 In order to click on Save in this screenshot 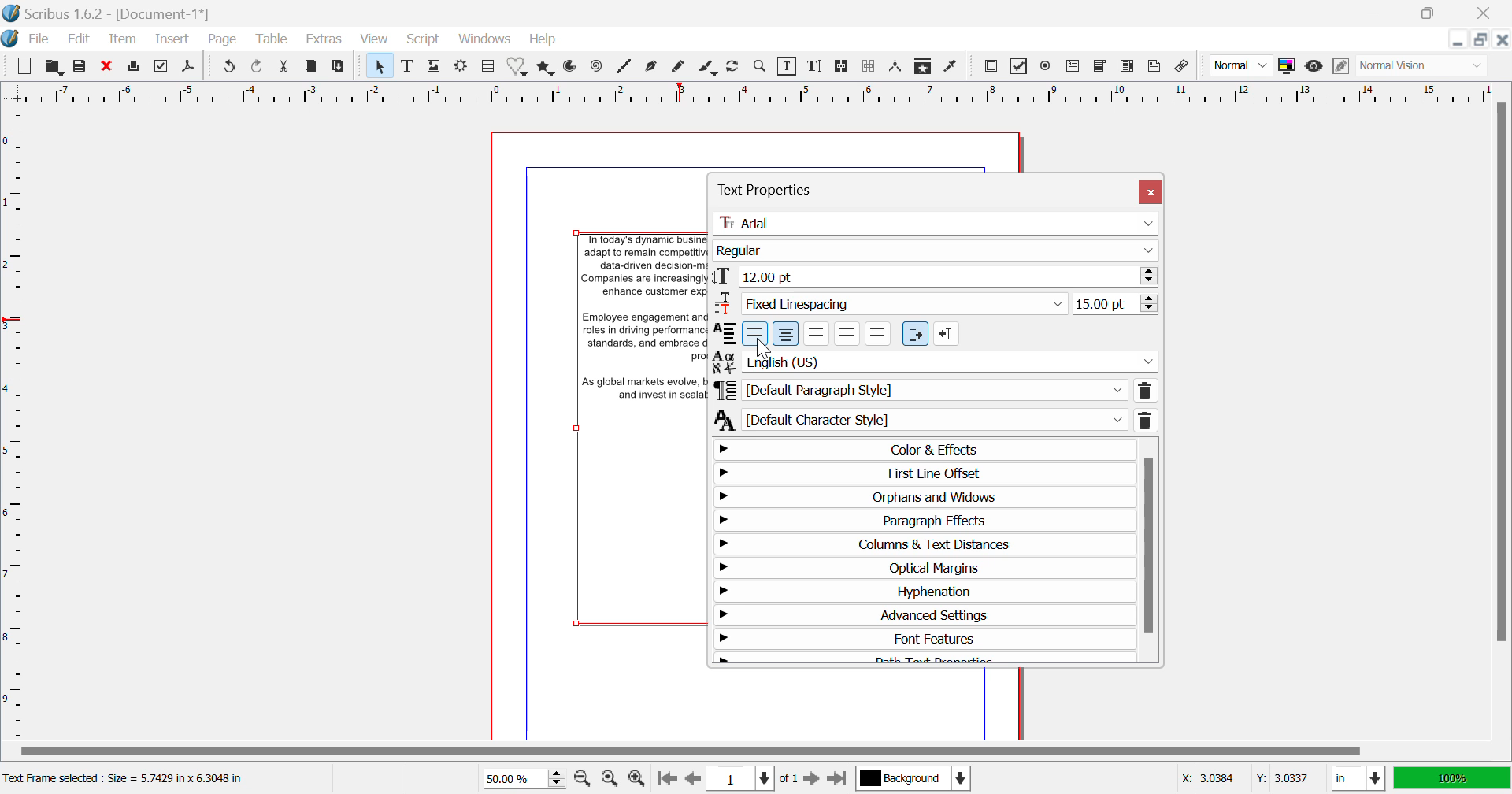, I will do `click(82, 66)`.